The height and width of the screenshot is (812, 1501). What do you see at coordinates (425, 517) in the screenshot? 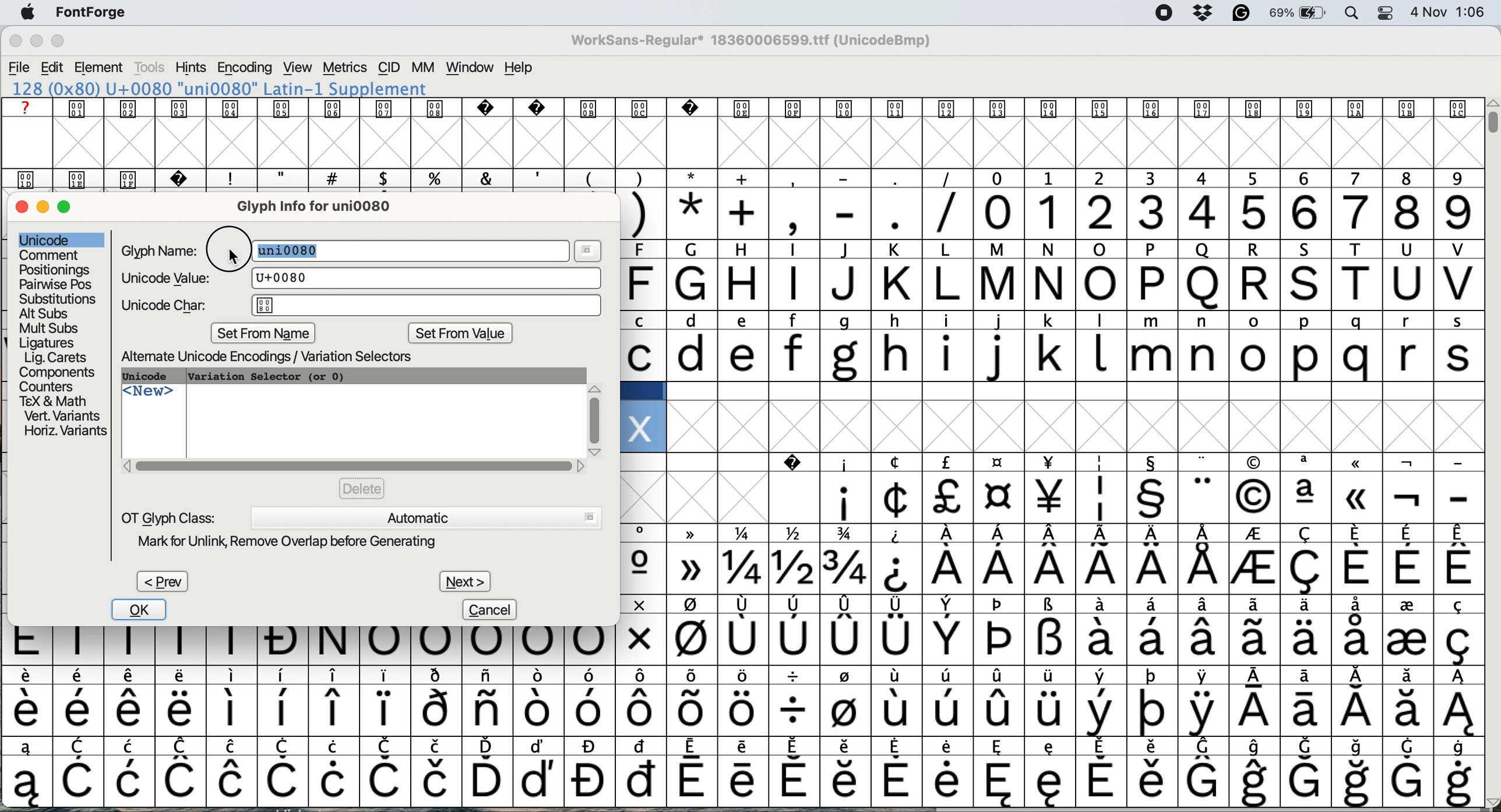
I see `automatic` at bounding box center [425, 517].